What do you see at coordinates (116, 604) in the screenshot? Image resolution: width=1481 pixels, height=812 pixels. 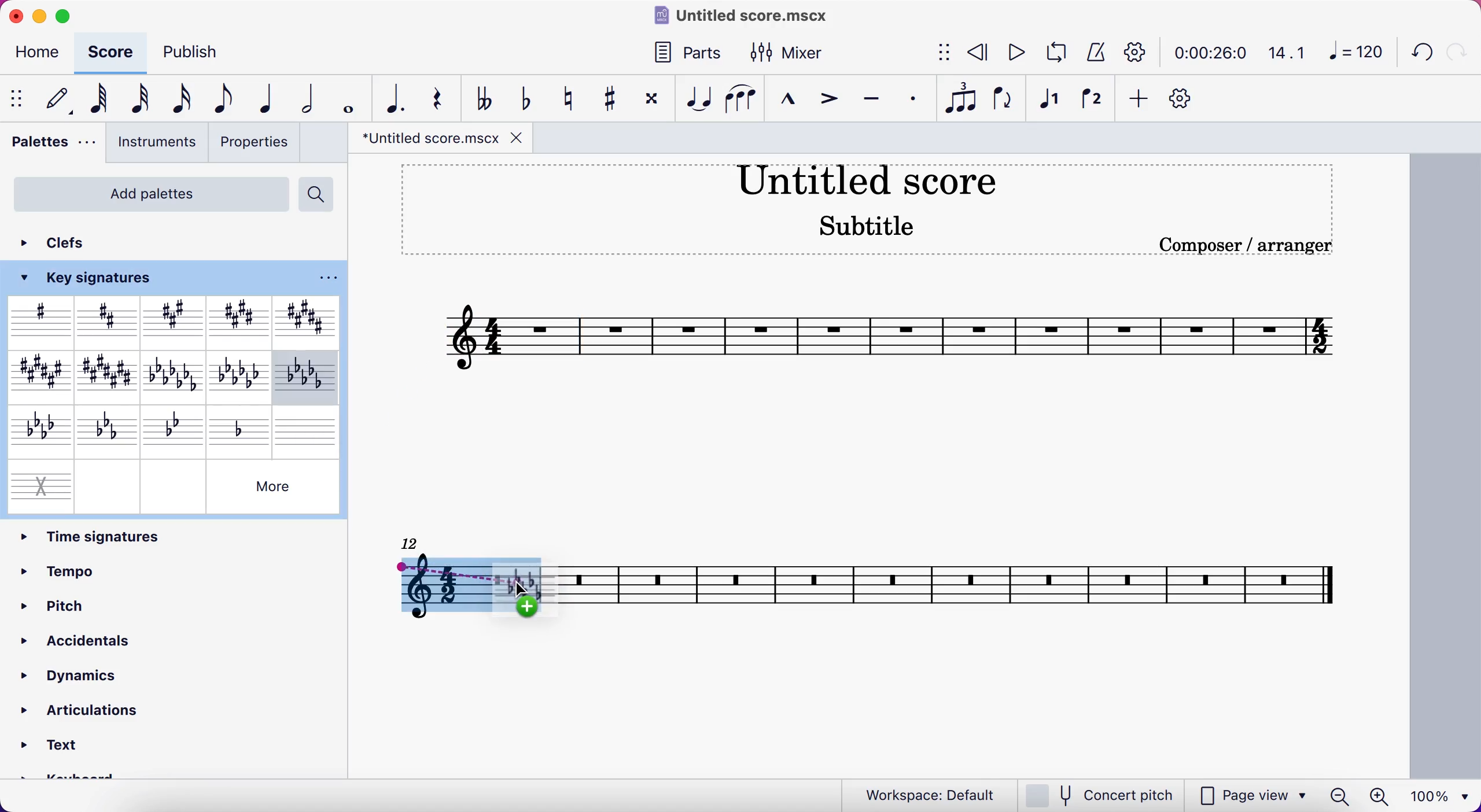 I see `pitch` at bounding box center [116, 604].